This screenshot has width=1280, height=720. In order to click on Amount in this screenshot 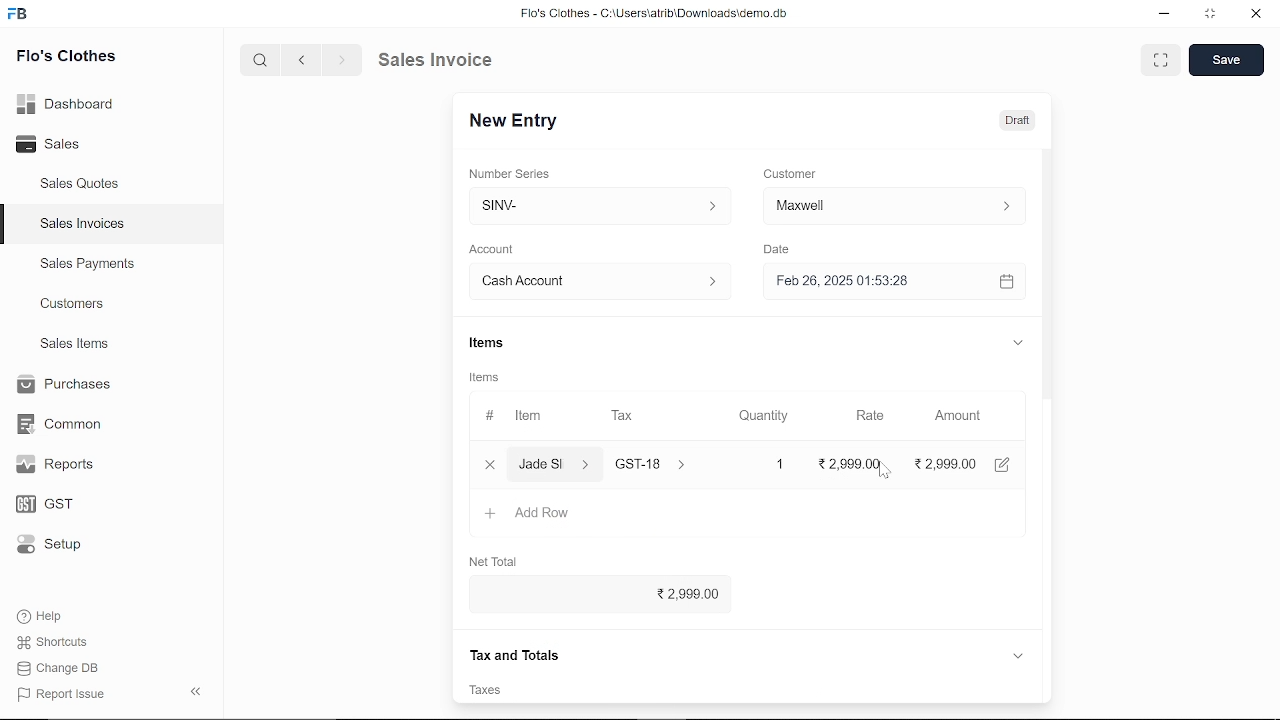, I will do `click(958, 416)`.